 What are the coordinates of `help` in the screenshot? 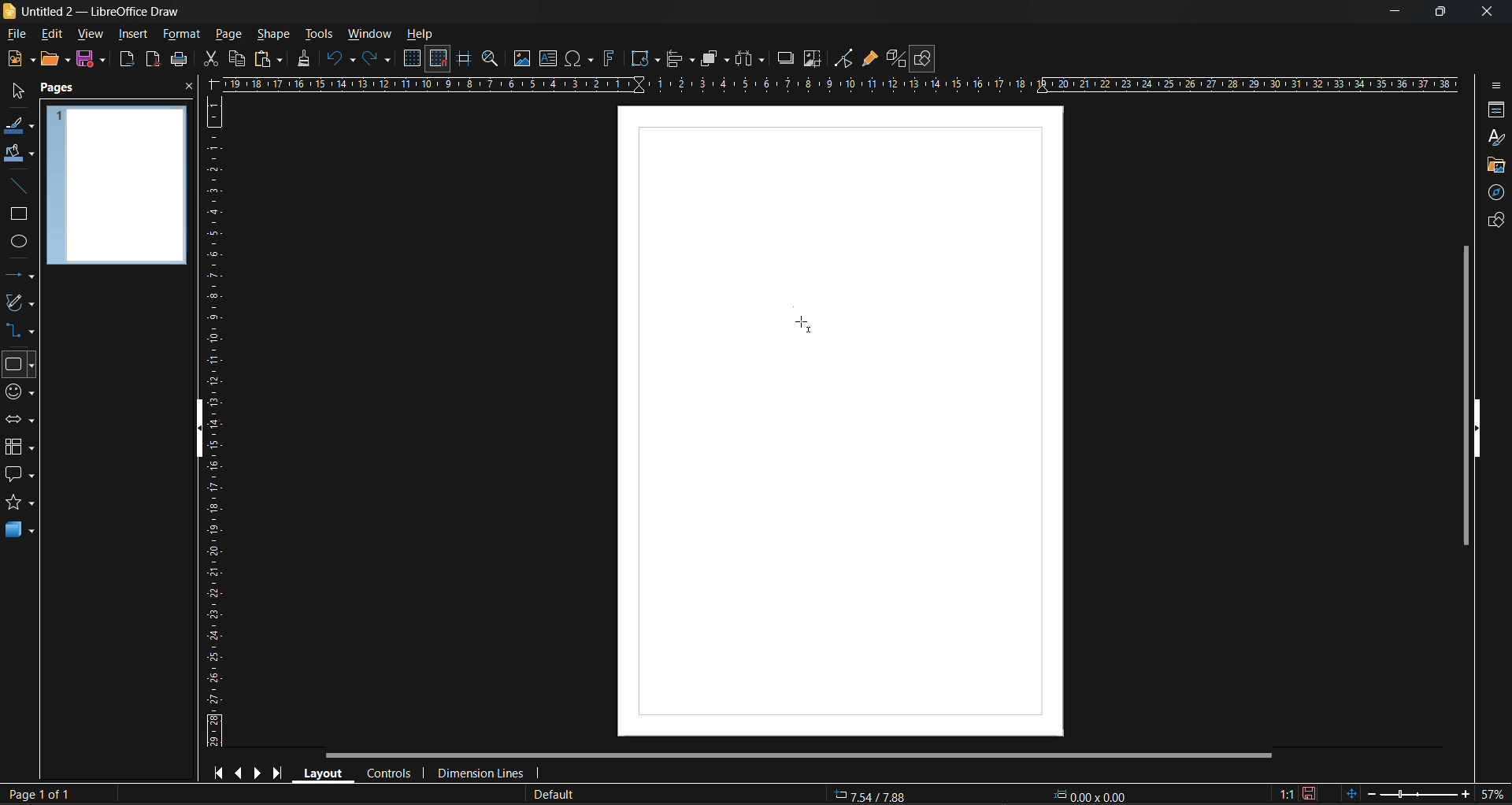 It's located at (421, 35).